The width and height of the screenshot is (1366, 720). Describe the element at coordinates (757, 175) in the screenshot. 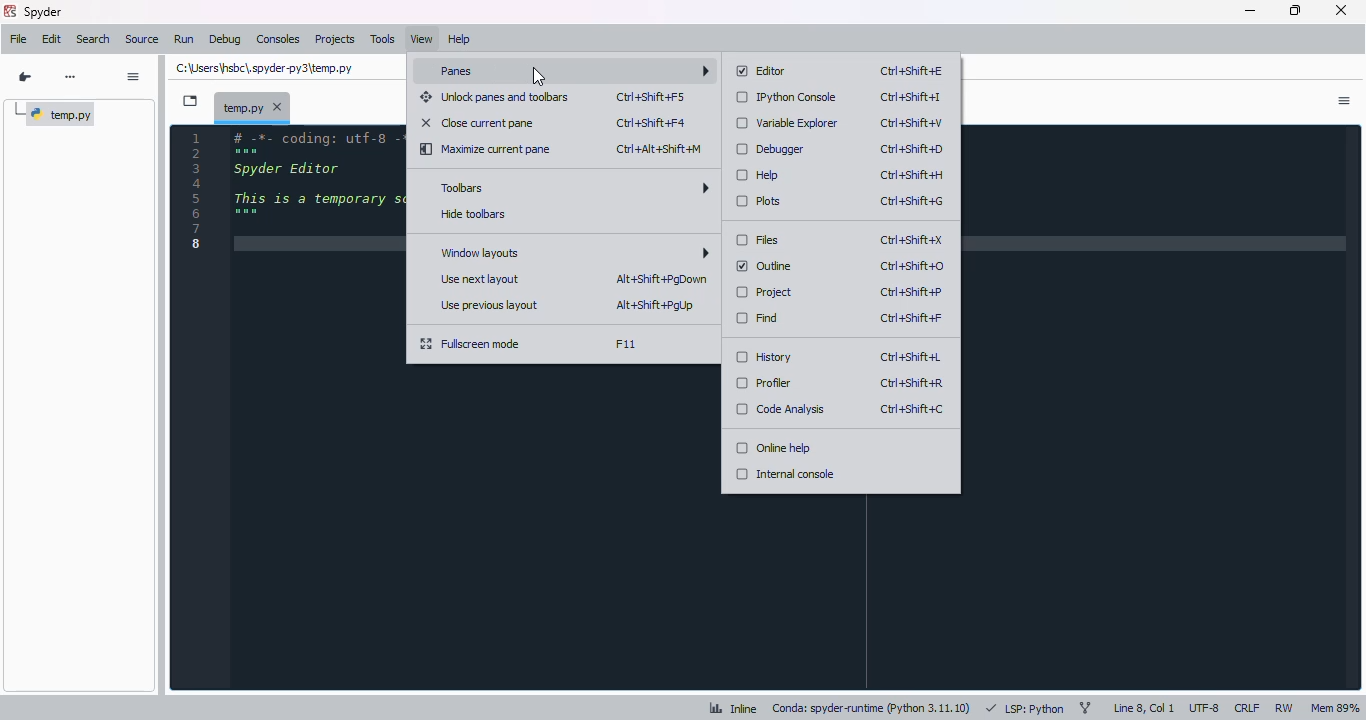

I see `help` at that location.